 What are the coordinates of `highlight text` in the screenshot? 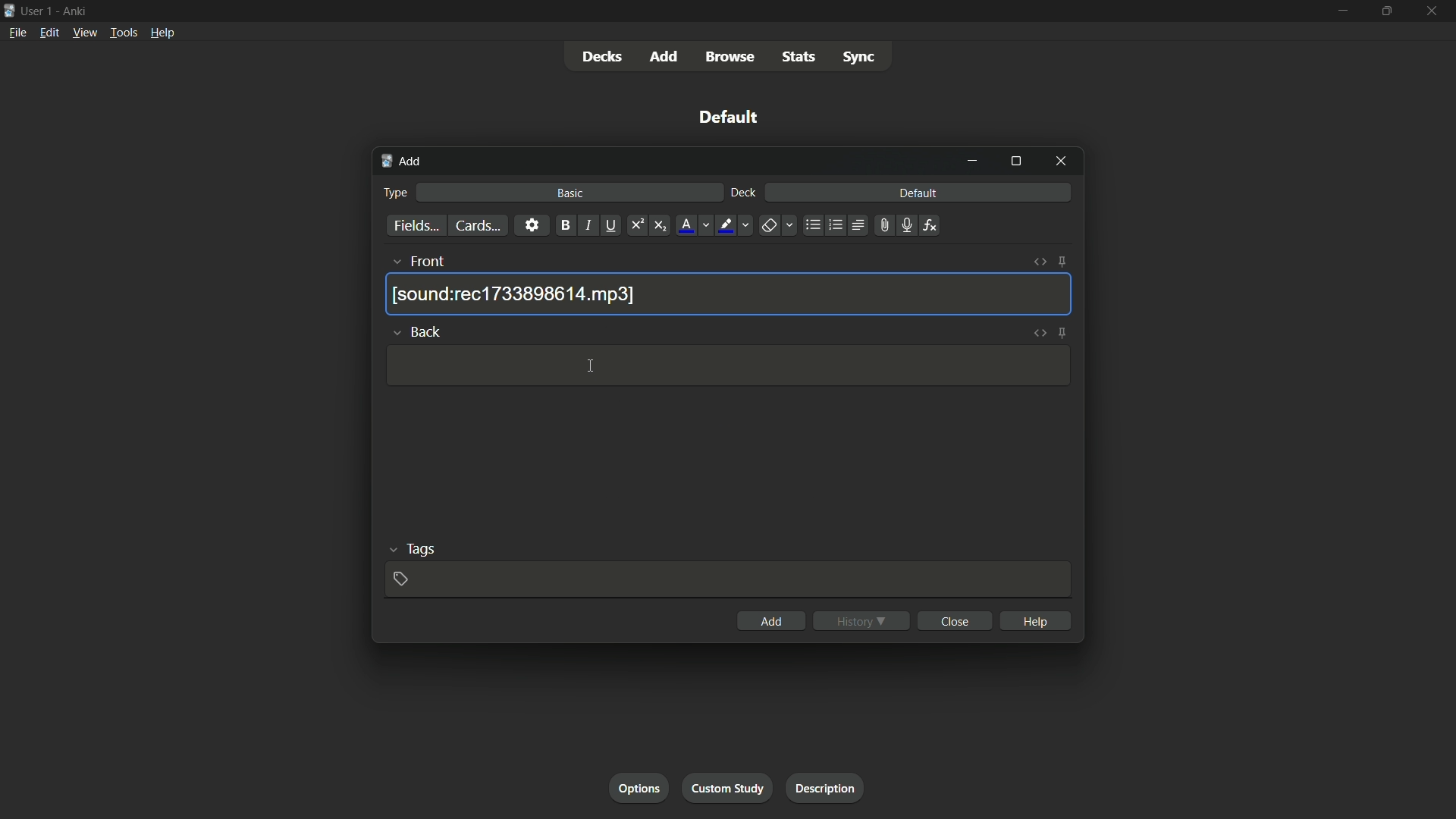 It's located at (725, 225).